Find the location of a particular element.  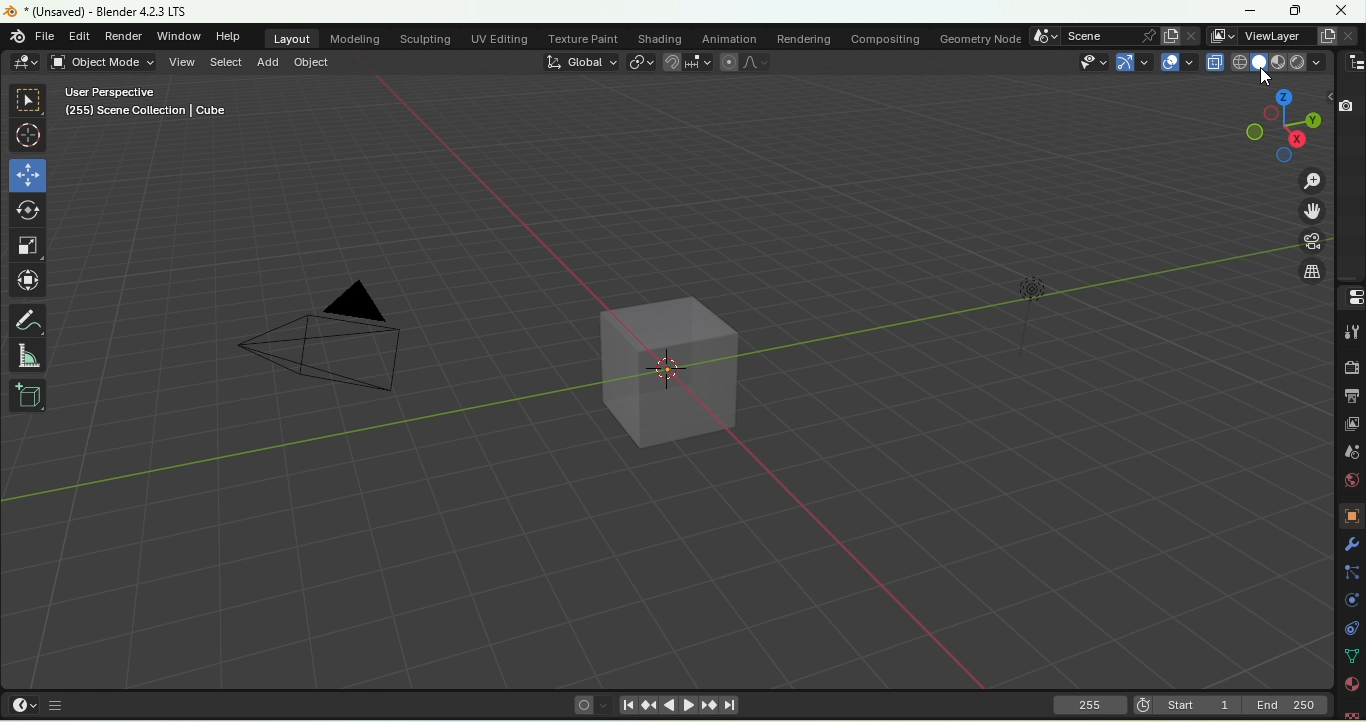

Modeling is located at coordinates (354, 38).